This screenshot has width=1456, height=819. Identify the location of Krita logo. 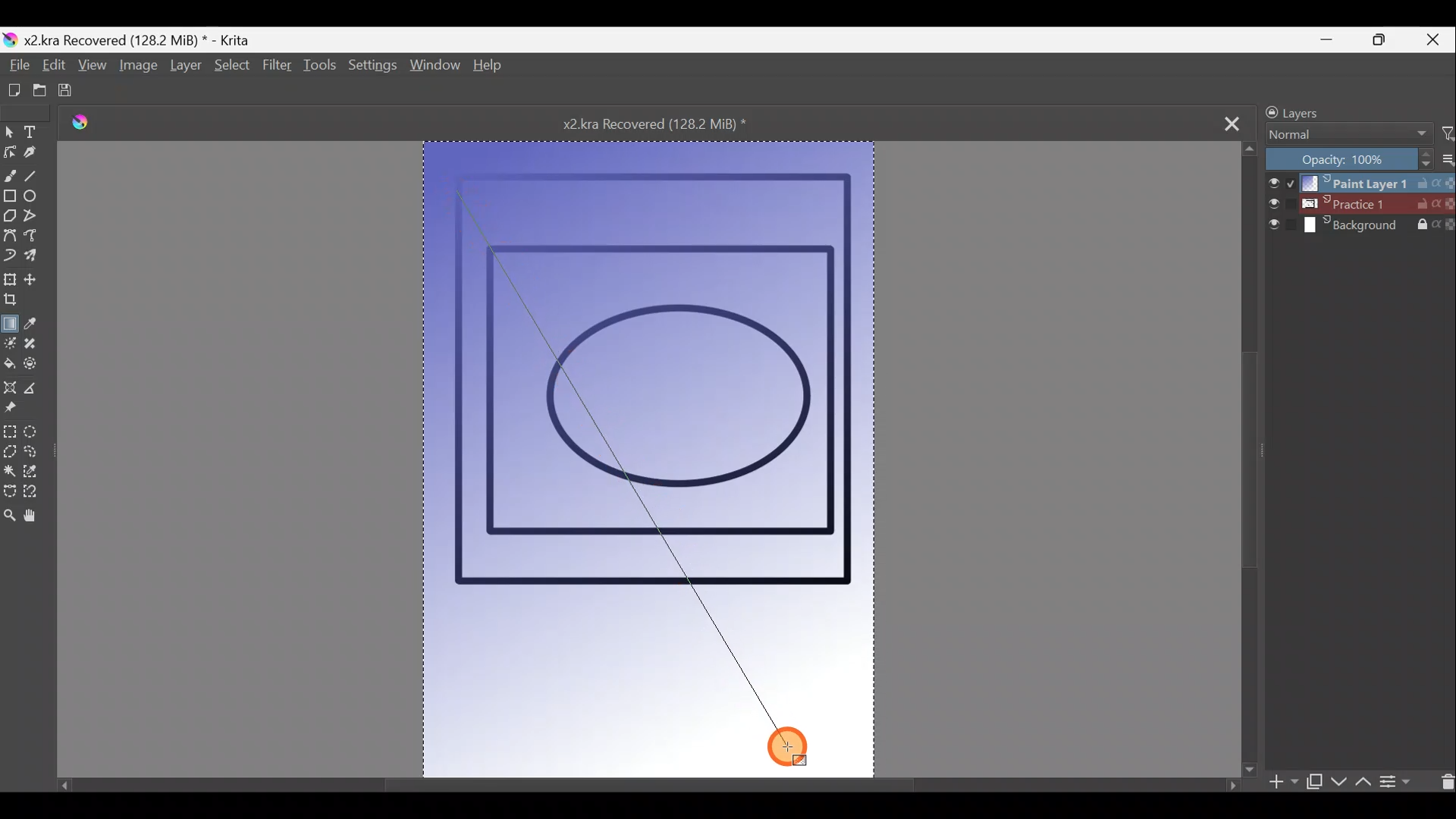
(90, 125).